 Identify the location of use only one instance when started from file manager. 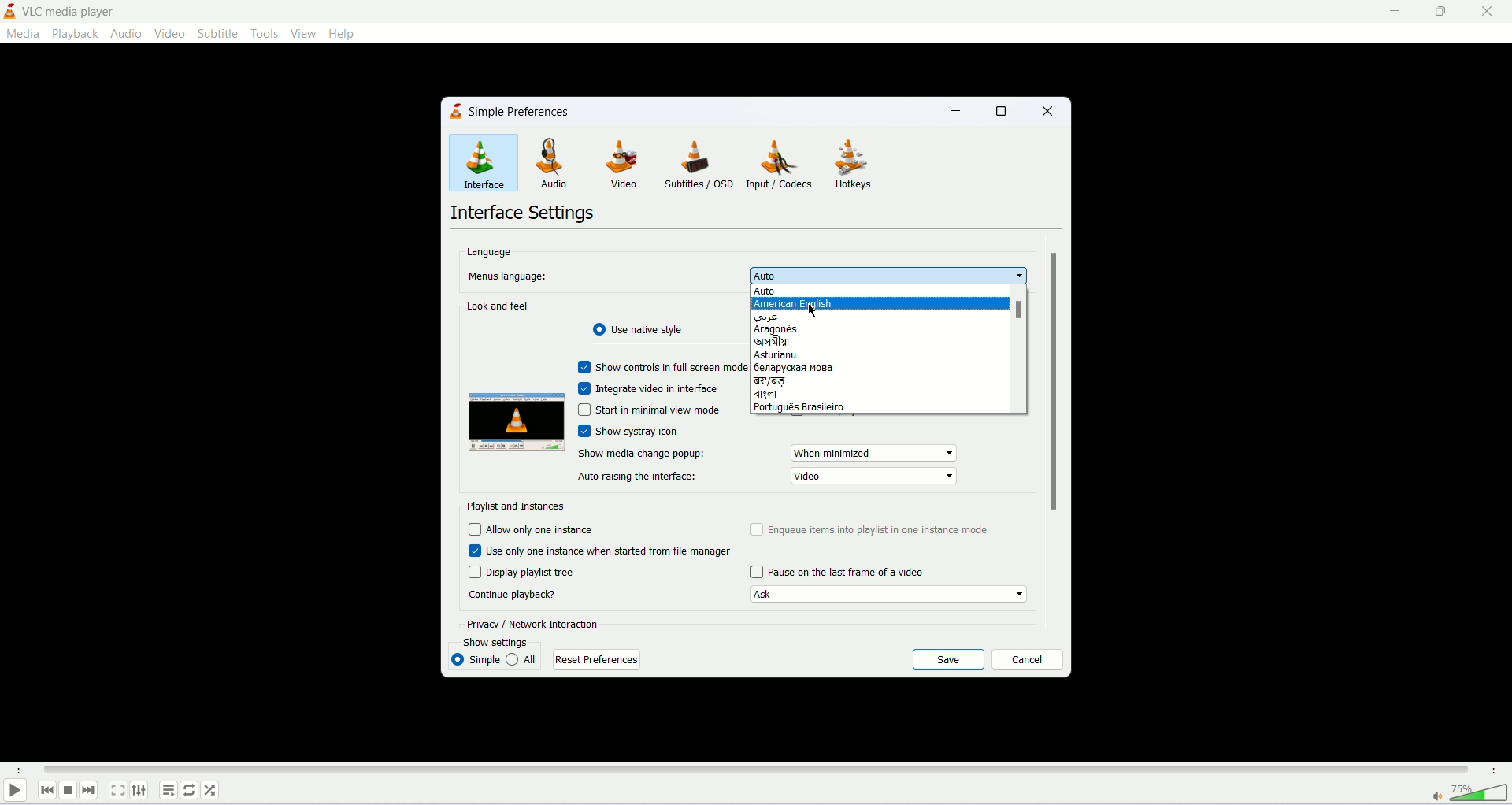
(603, 550).